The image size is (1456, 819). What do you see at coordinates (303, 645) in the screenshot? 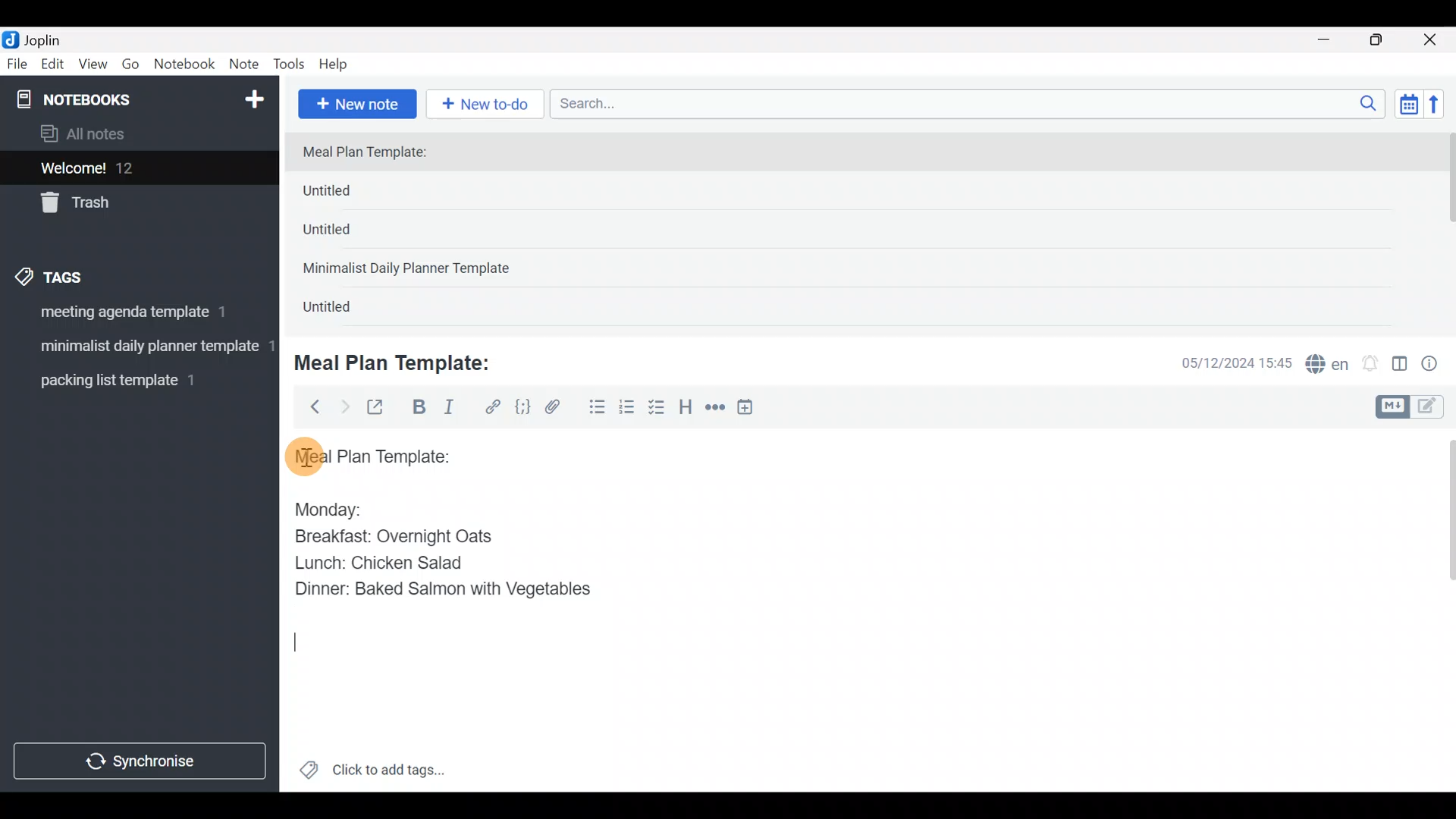
I see `text Cursor` at bounding box center [303, 645].